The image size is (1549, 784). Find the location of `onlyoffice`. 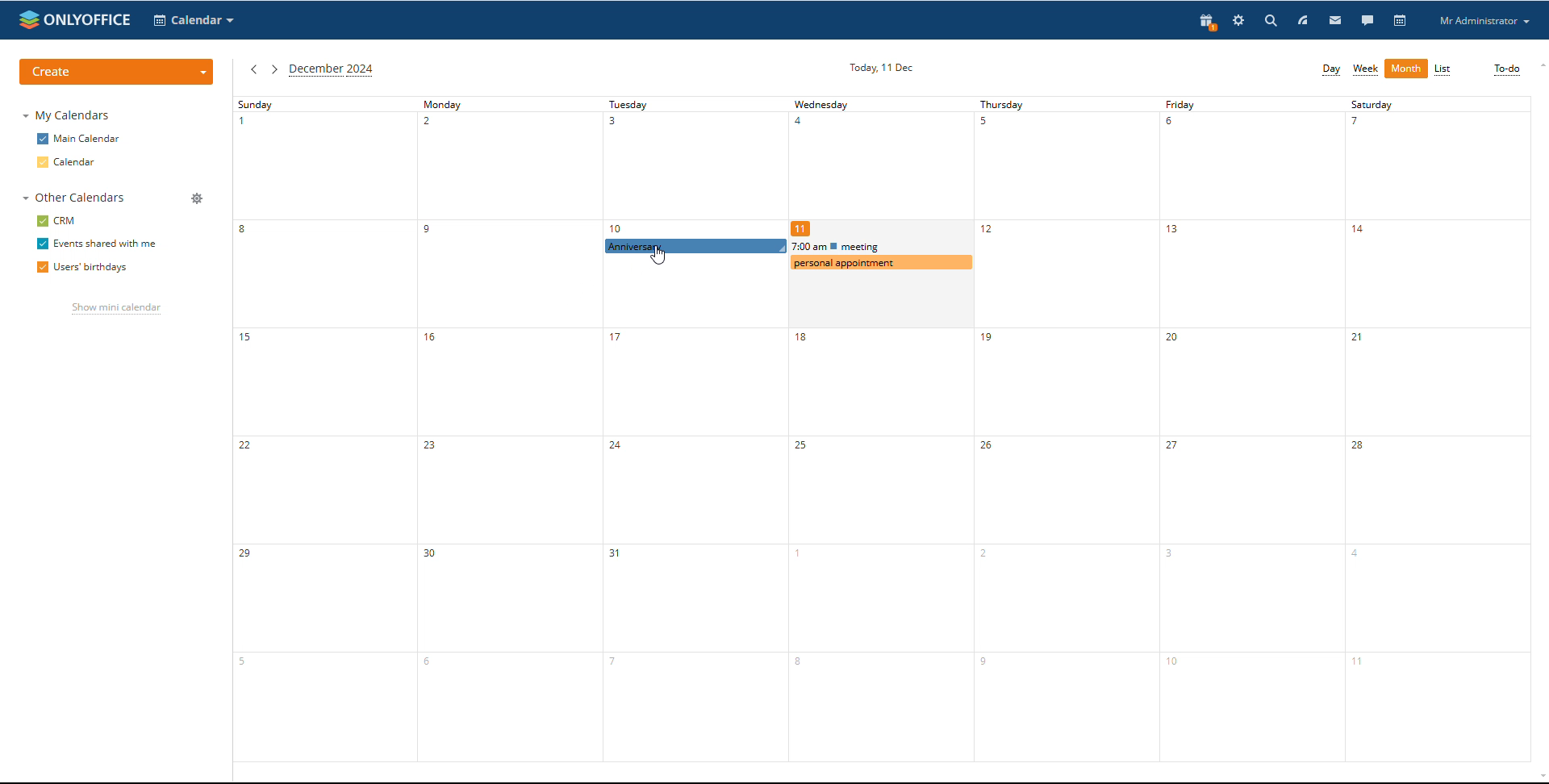

onlyoffice is located at coordinates (90, 19).